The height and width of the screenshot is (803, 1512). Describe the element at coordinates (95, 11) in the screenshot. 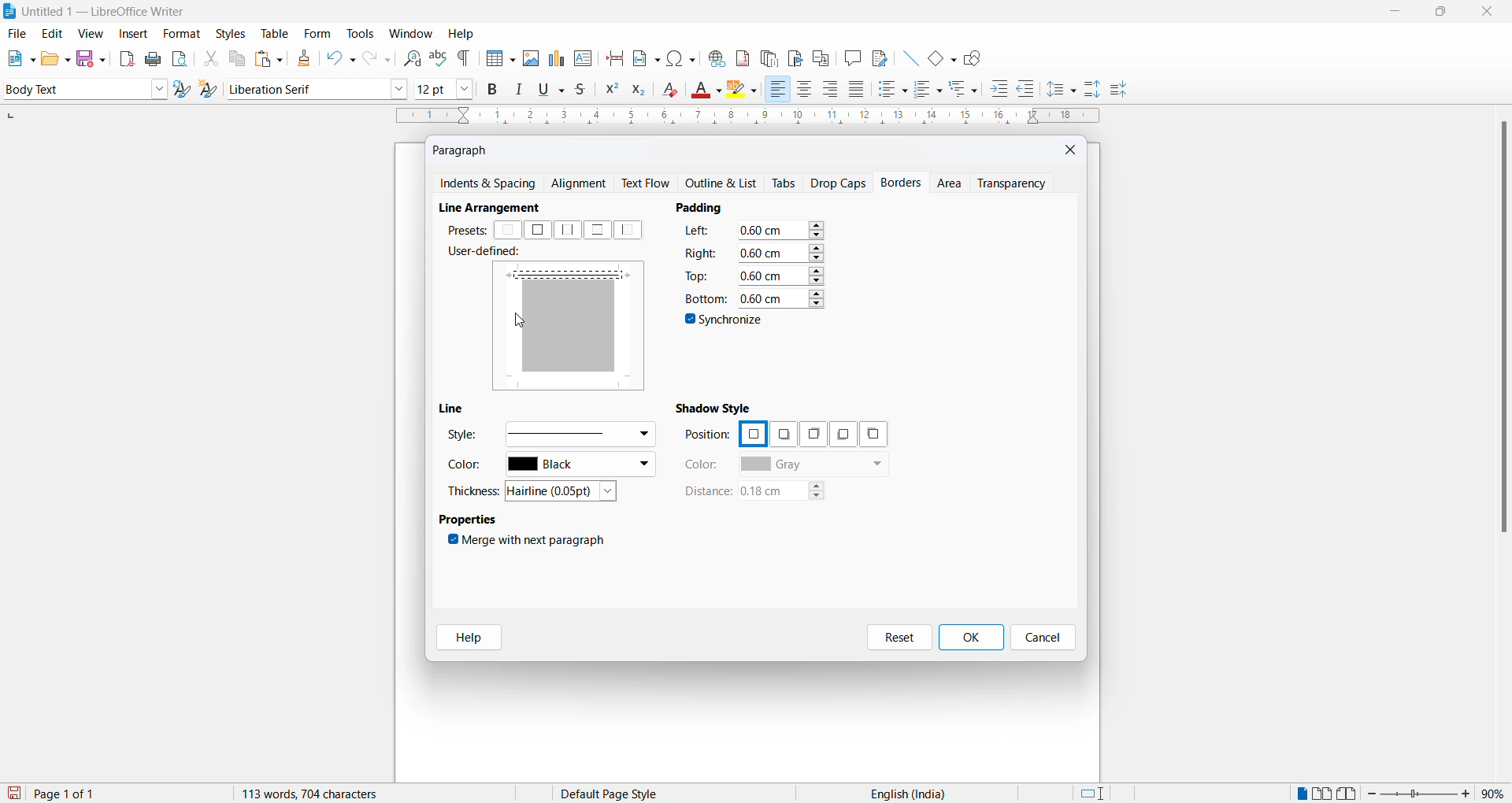

I see `file title` at that location.